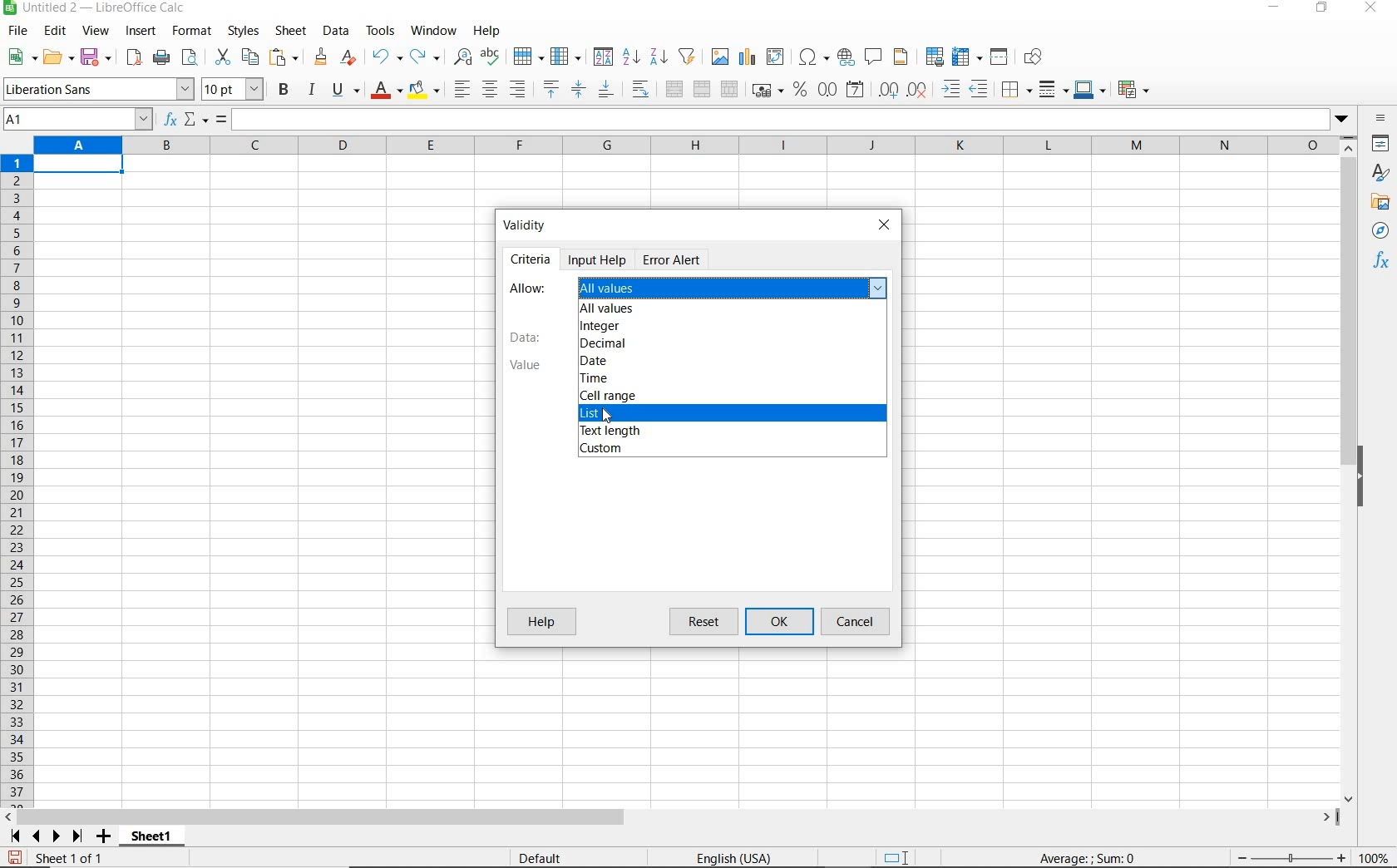 The height and width of the screenshot is (868, 1397). What do you see at coordinates (777, 57) in the screenshot?
I see `insert or edit pivot table` at bounding box center [777, 57].